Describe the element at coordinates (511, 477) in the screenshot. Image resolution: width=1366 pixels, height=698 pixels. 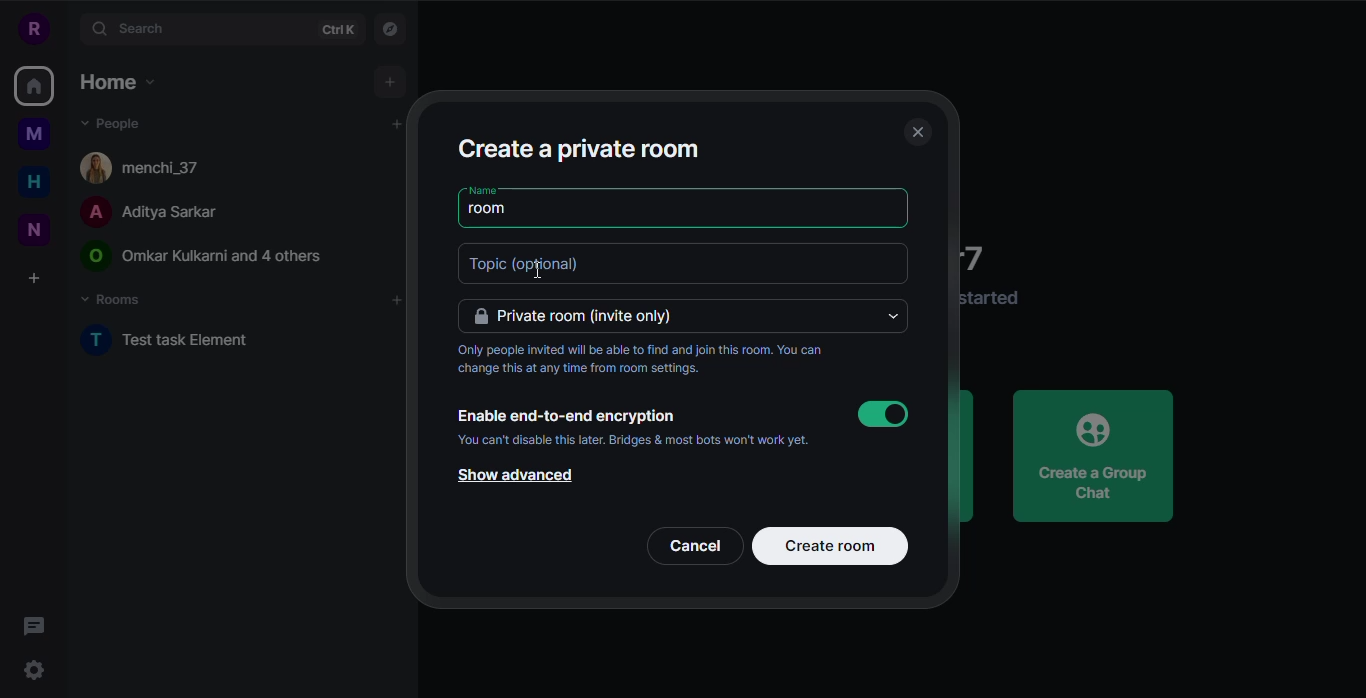
I see `show advanced` at that location.